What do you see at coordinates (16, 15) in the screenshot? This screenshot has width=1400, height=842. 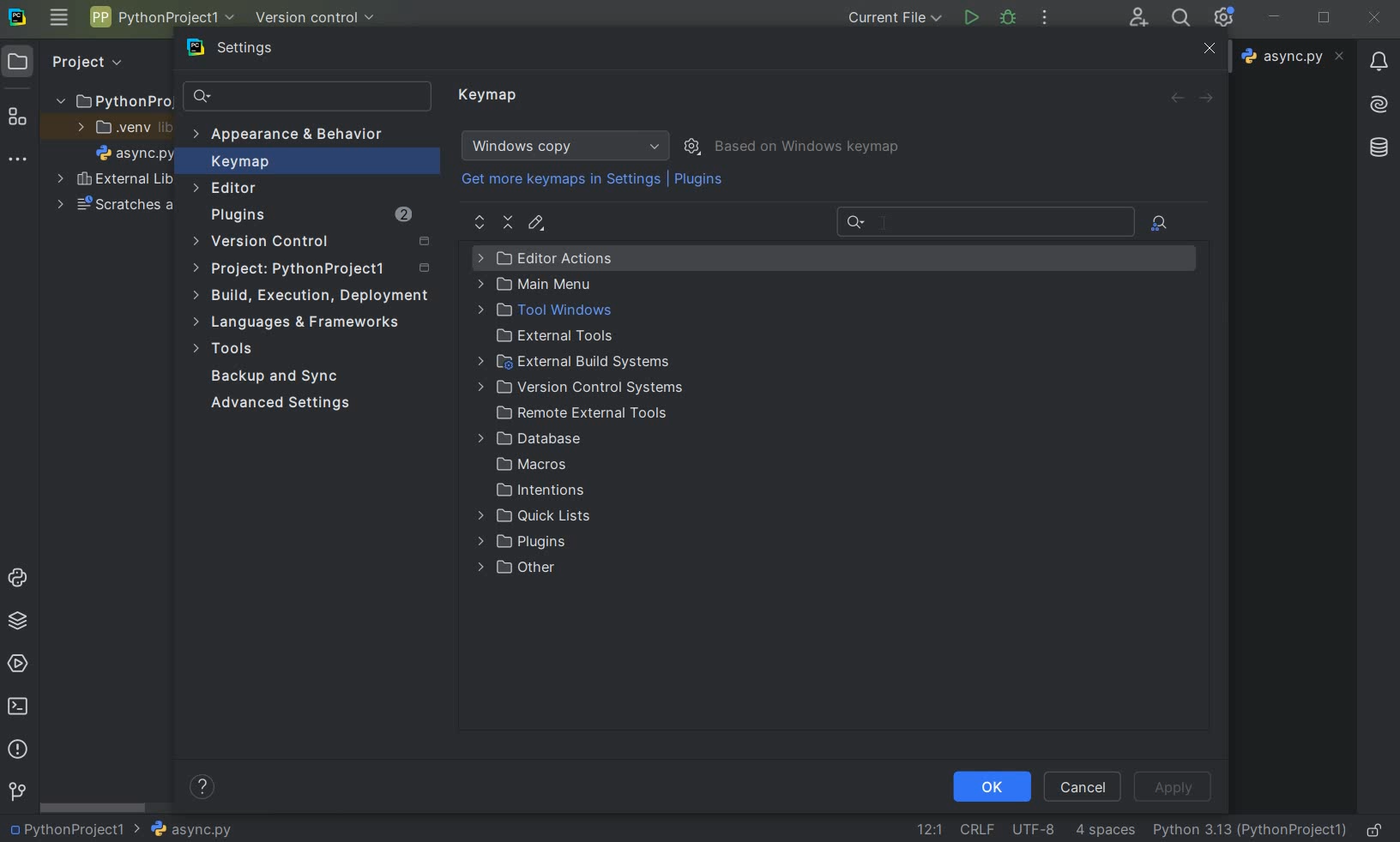 I see `system logo` at bounding box center [16, 15].